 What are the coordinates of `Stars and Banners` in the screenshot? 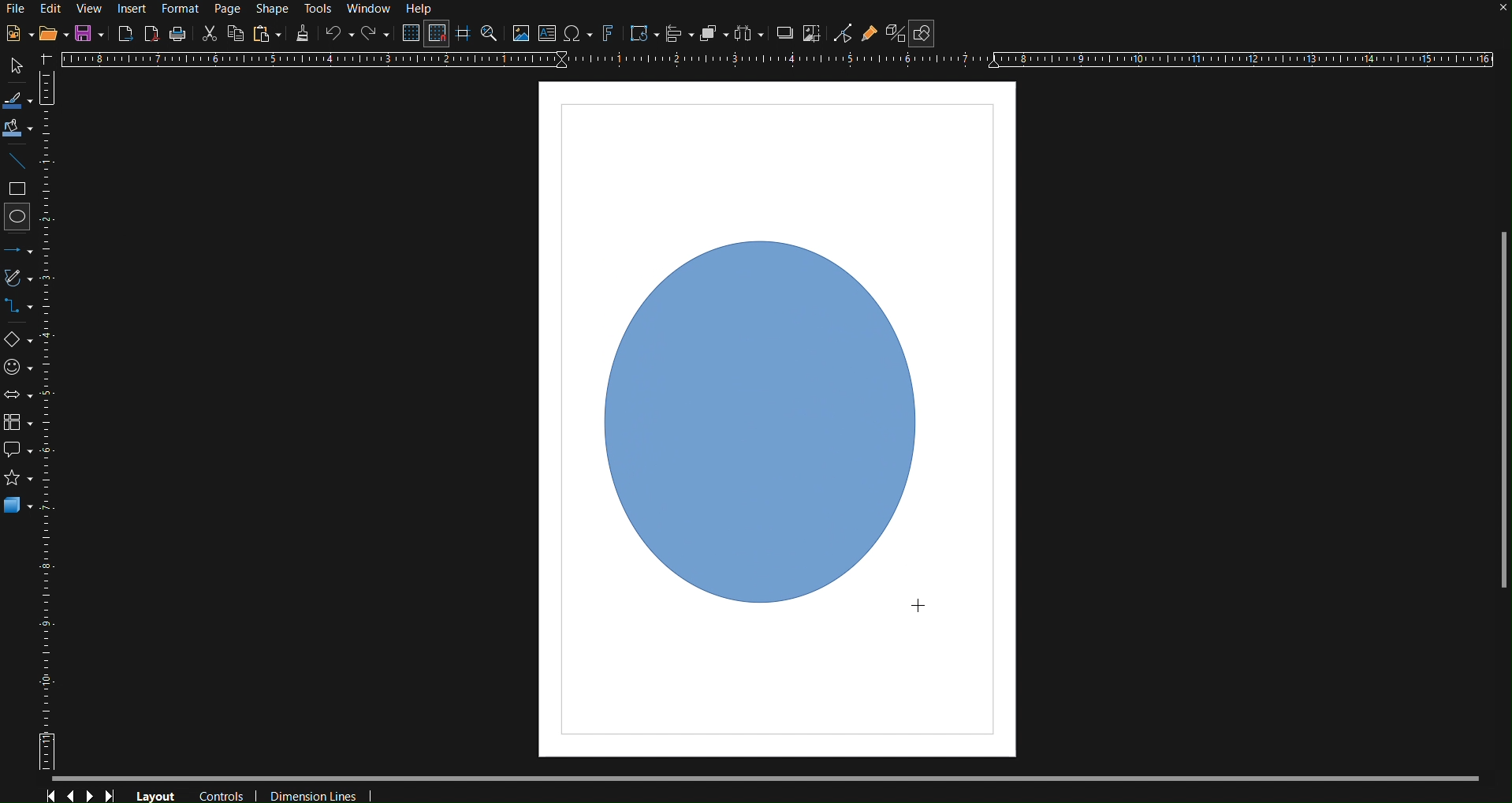 It's located at (16, 480).